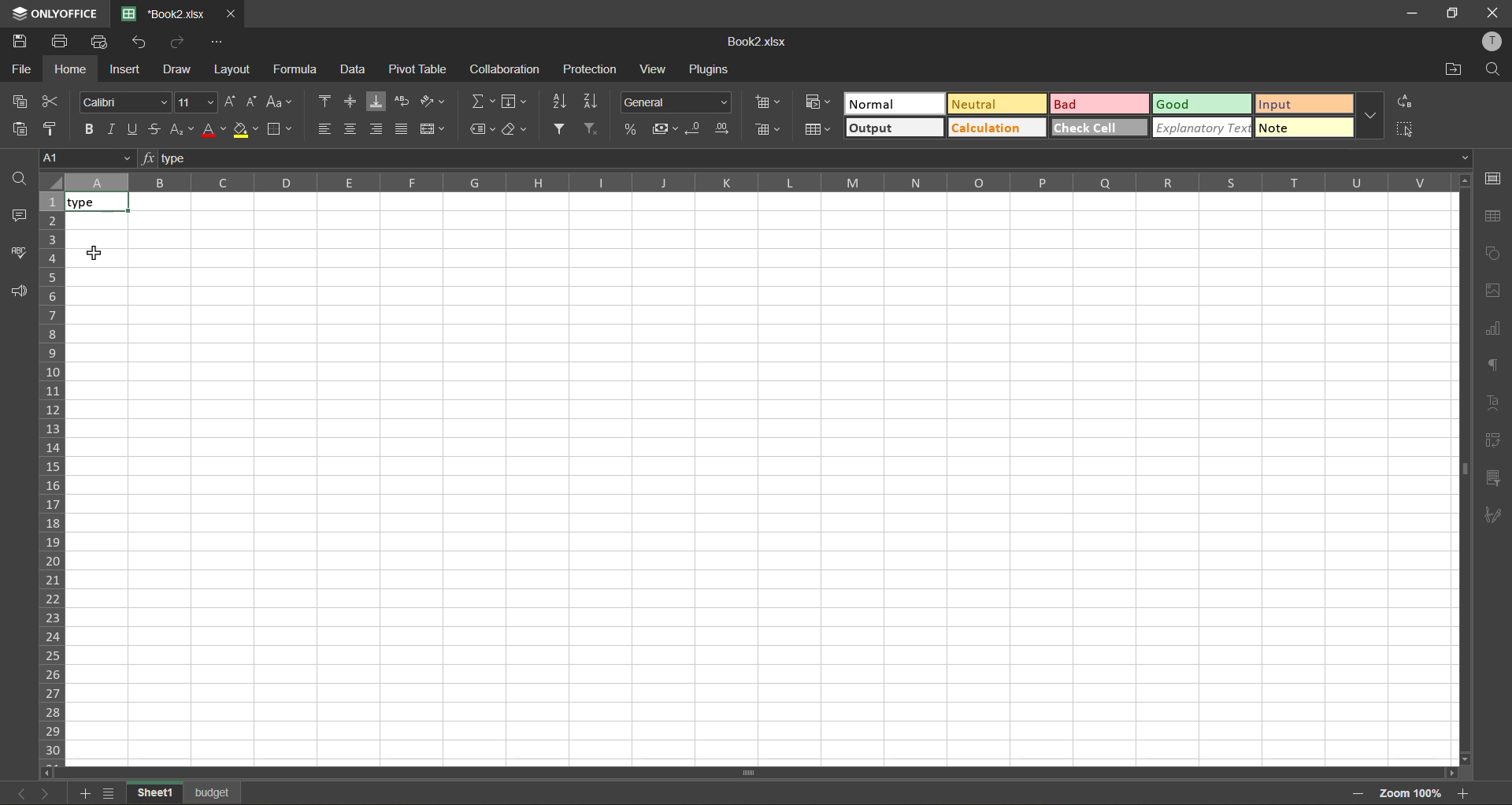 The height and width of the screenshot is (805, 1512). Describe the element at coordinates (1490, 43) in the screenshot. I see `profile` at that location.